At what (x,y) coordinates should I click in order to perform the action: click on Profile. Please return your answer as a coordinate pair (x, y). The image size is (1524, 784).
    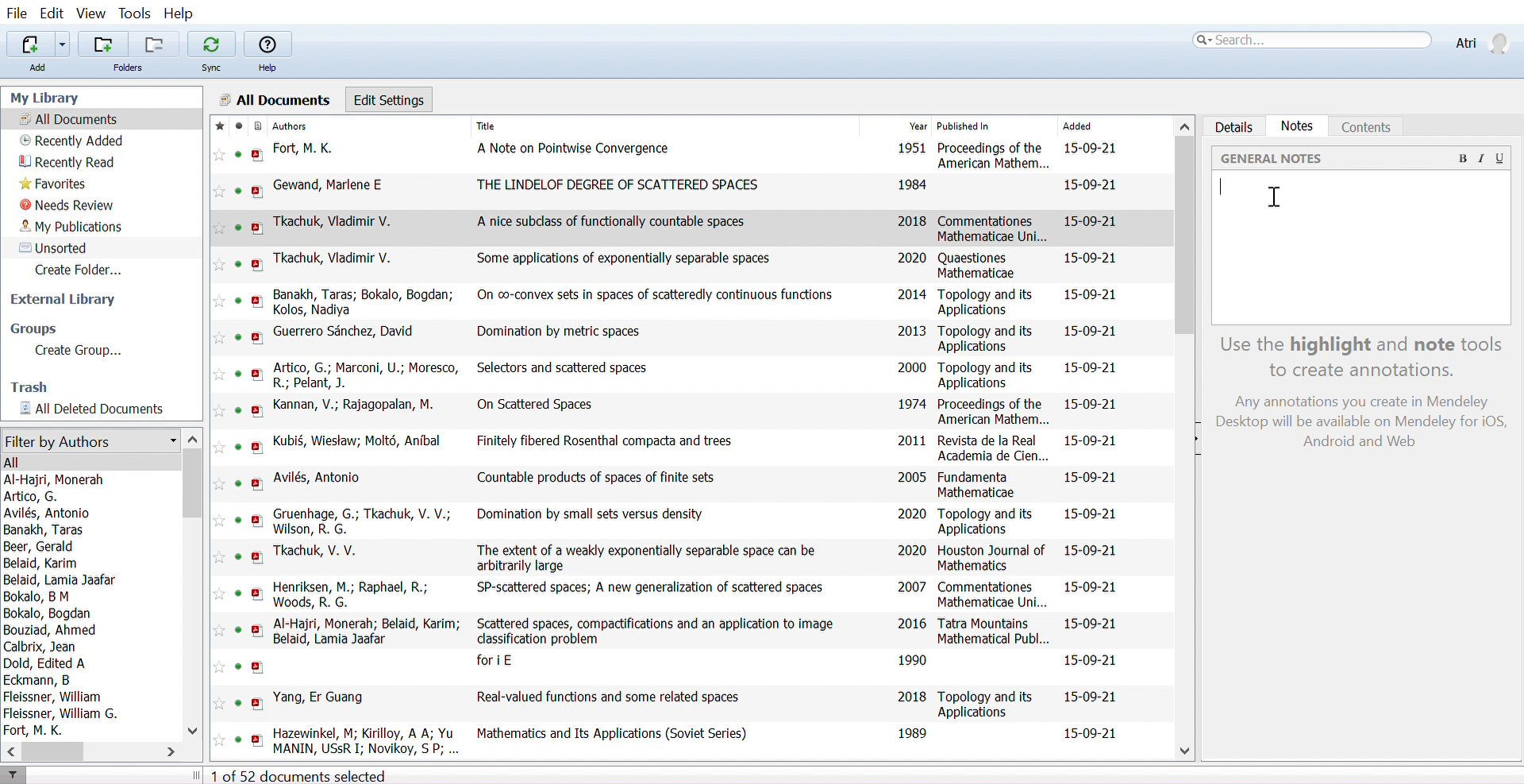
    Looking at the image, I should click on (1480, 40).